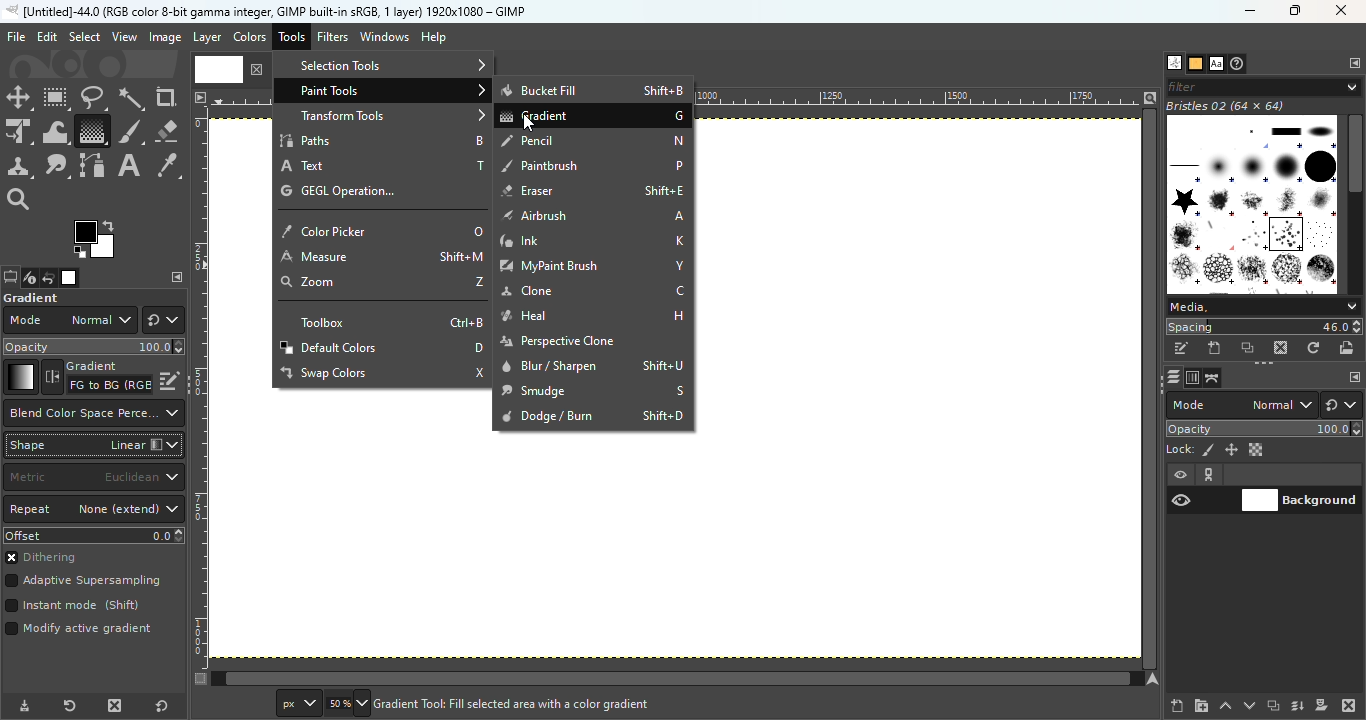 The height and width of the screenshot is (720, 1366). Describe the element at coordinates (1262, 307) in the screenshot. I see `Media` at that location.